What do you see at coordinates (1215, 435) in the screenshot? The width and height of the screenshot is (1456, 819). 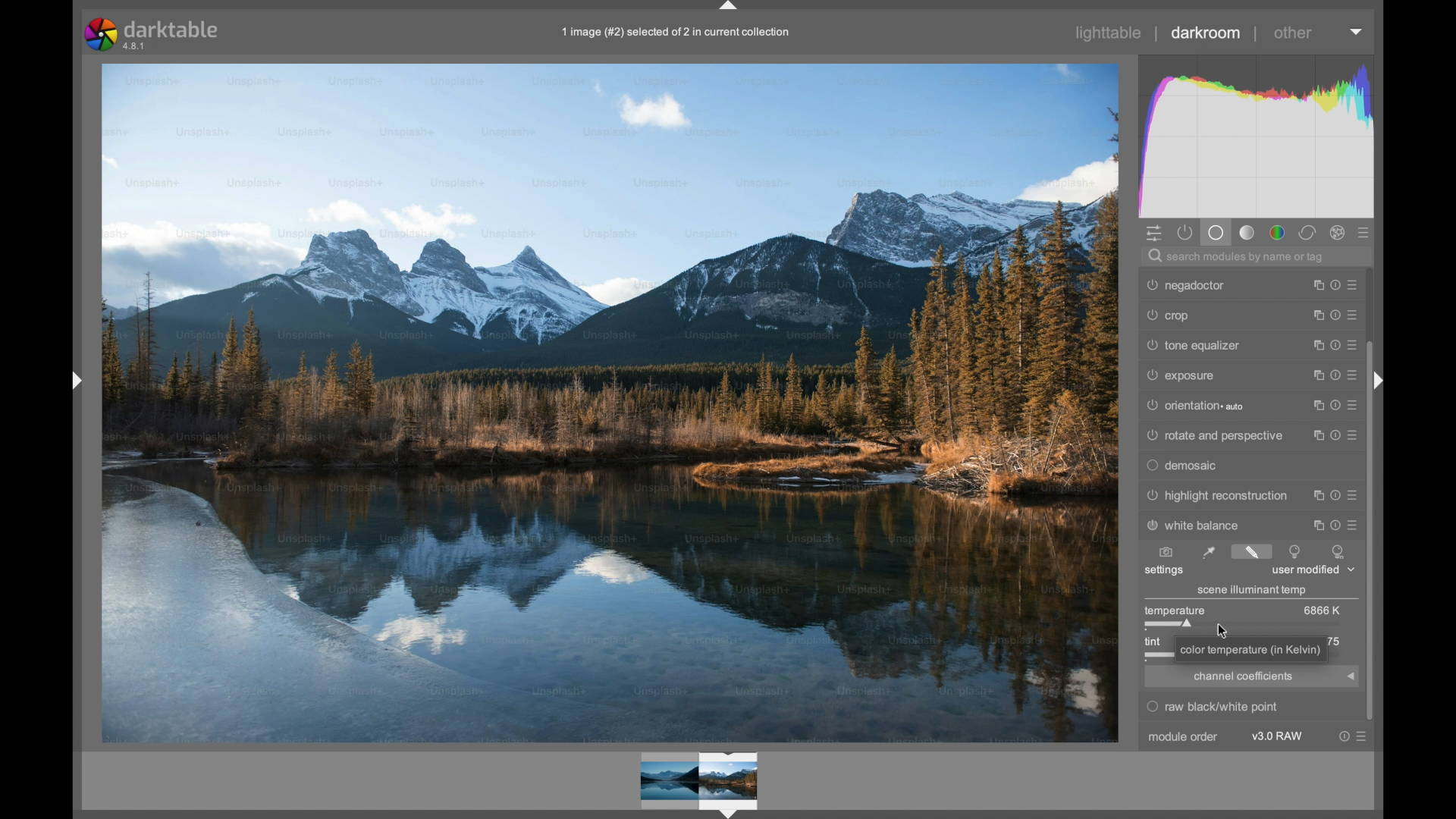 I see `rotate and perspective` at bounding box center [1215, 435].